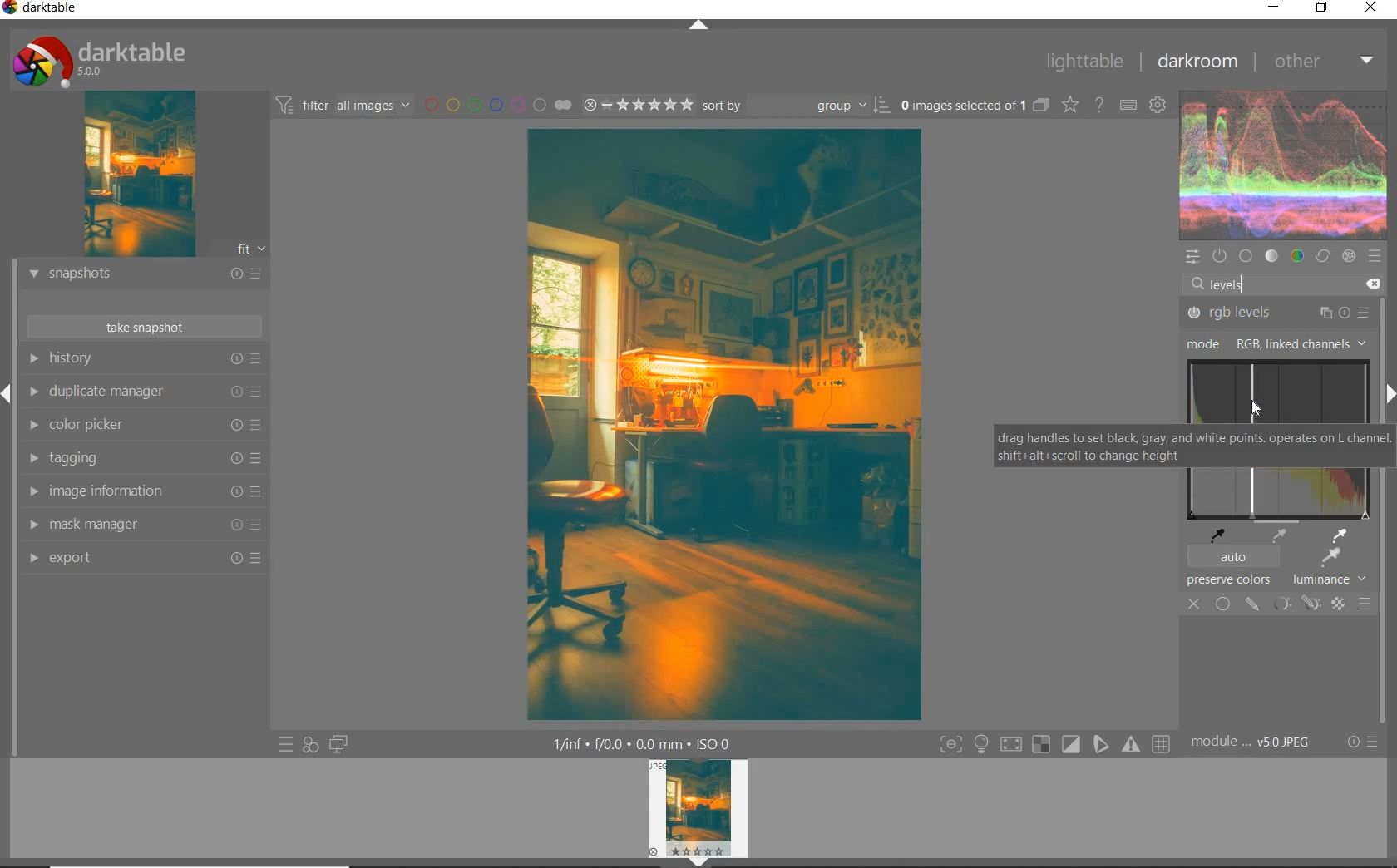 This screenshot has height=868, width=1397. Describe the element at coordinates (1334, 579) in the screenshot. I see `lunminance` at that location.